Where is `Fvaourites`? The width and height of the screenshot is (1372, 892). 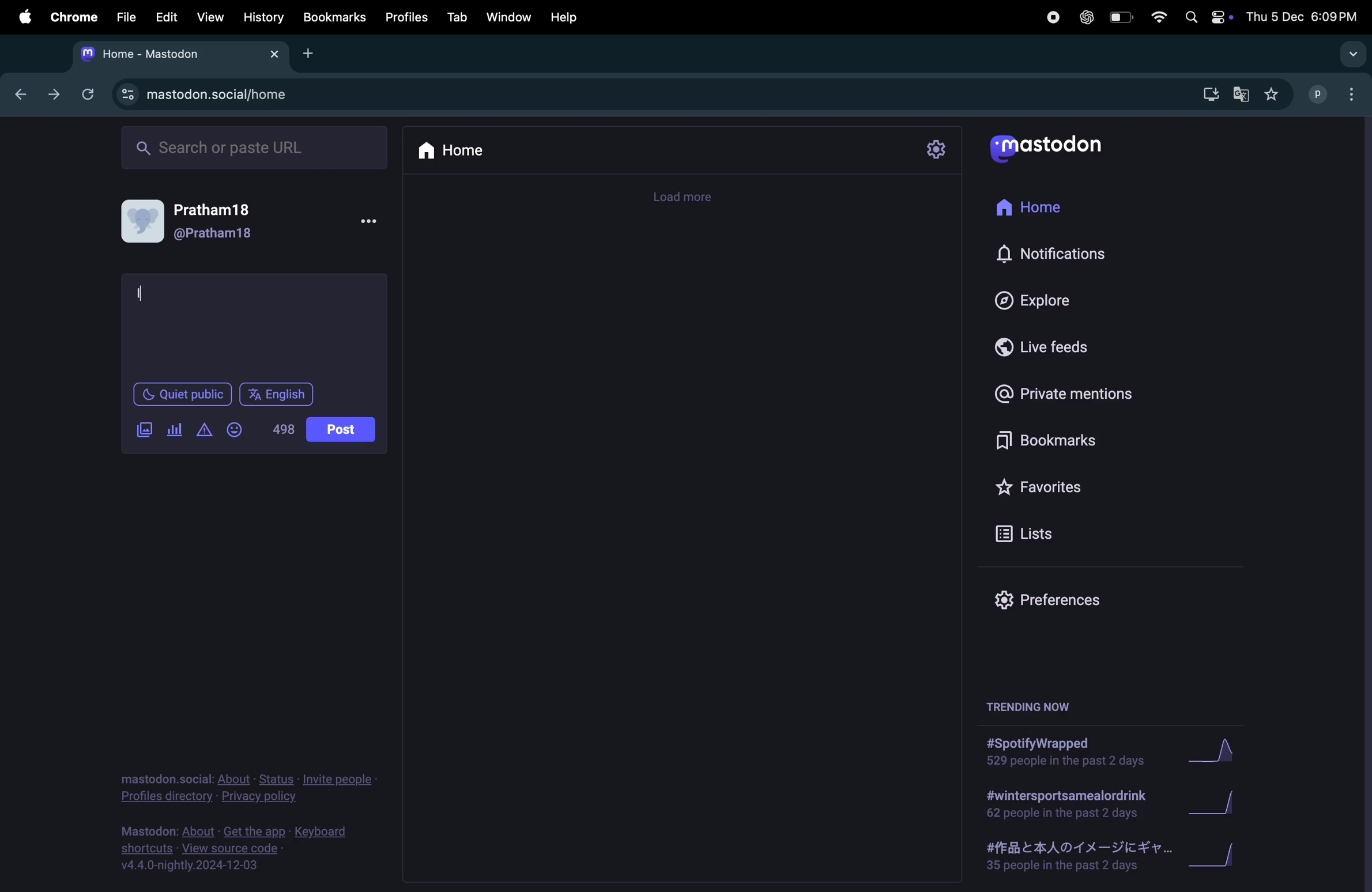
Fvaourites is located at coordinates (1057, 487).